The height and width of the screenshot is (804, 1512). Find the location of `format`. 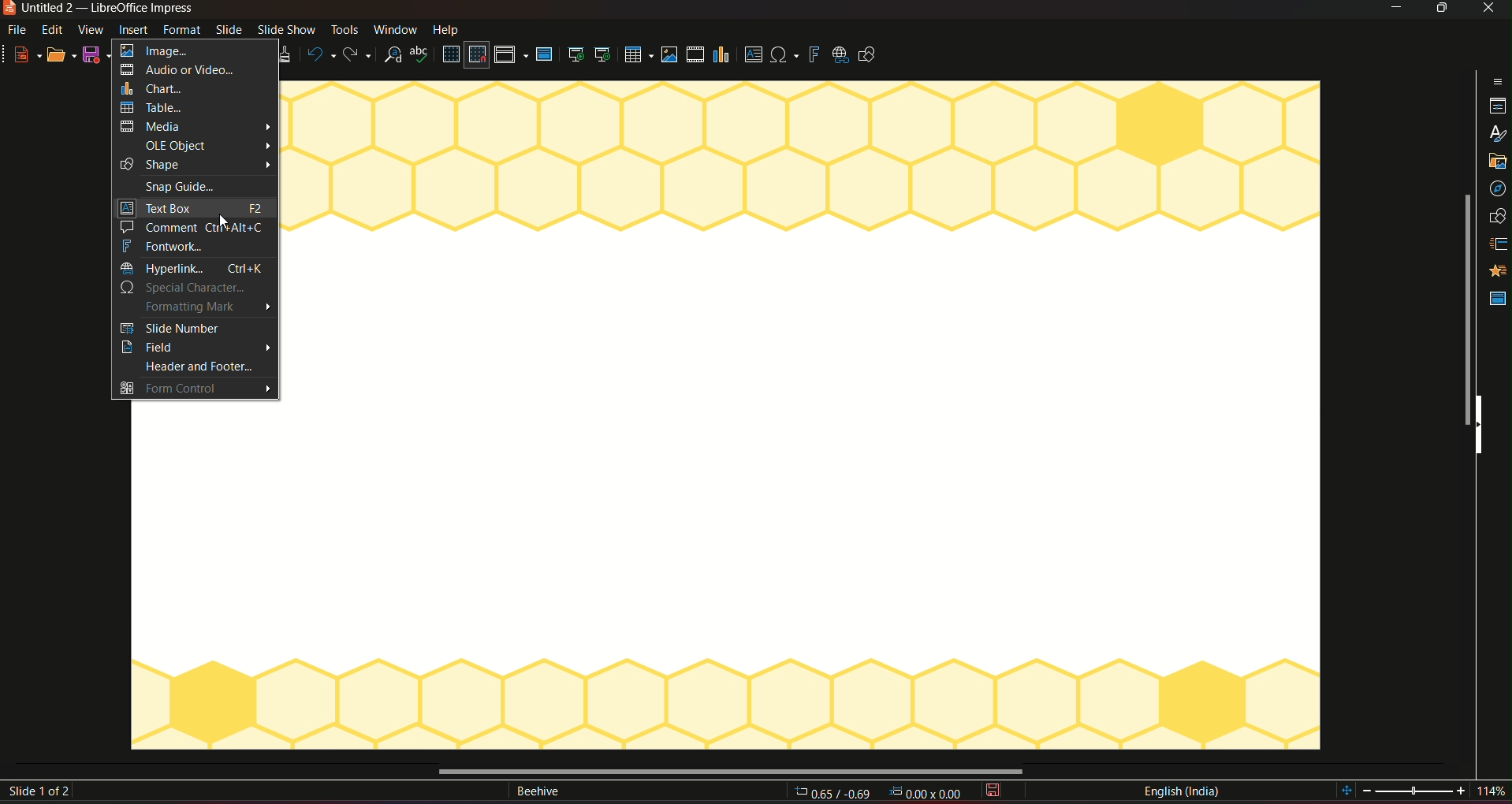

format is located at coordinates (184, 30).